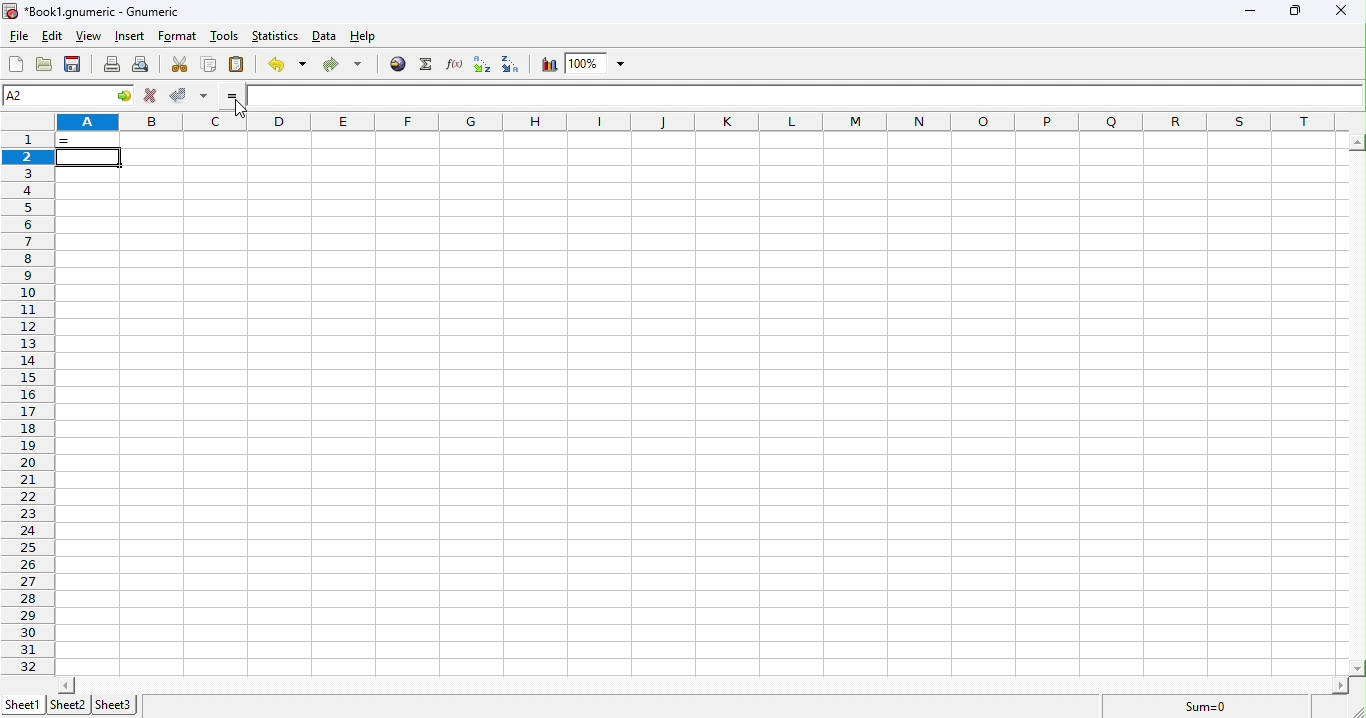 Image resolution: width=1366 pixels, height=718 pixels. I want to click on sheet1, so click(26, 705).